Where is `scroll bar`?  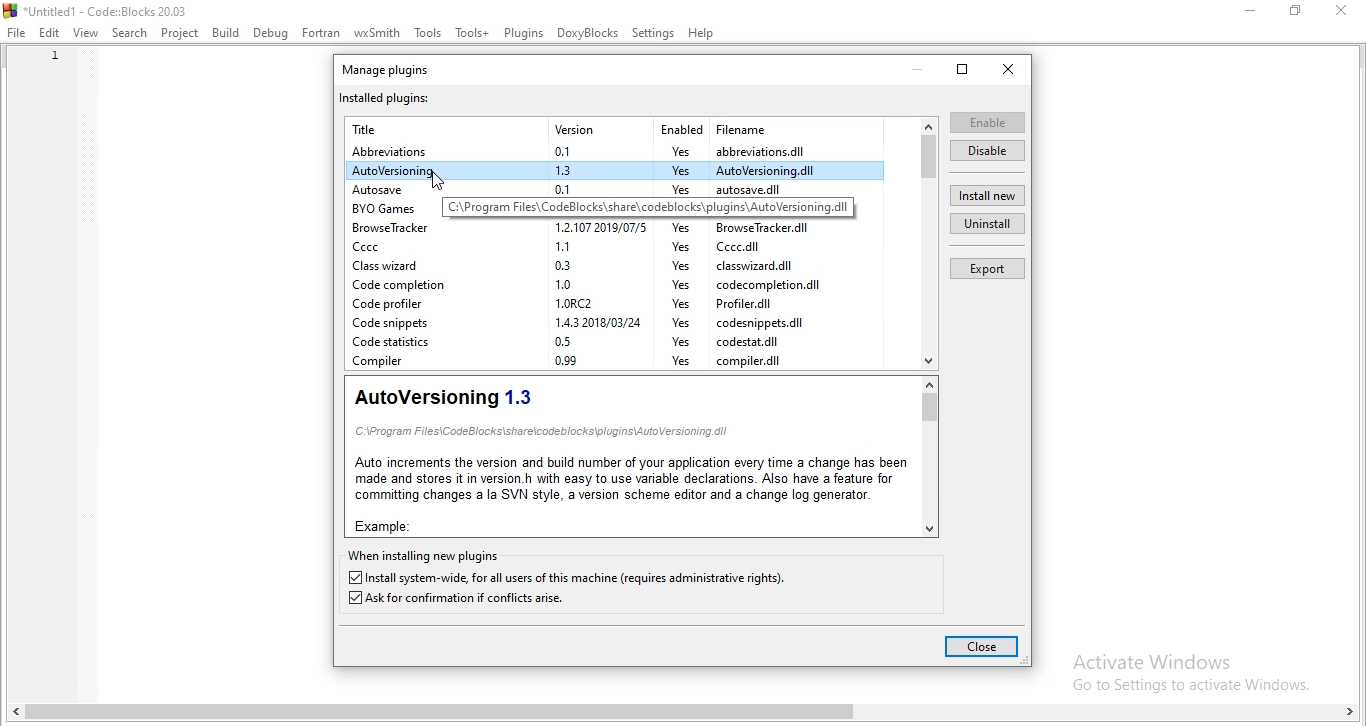
scroll bar is located at coordinates (929, 241).